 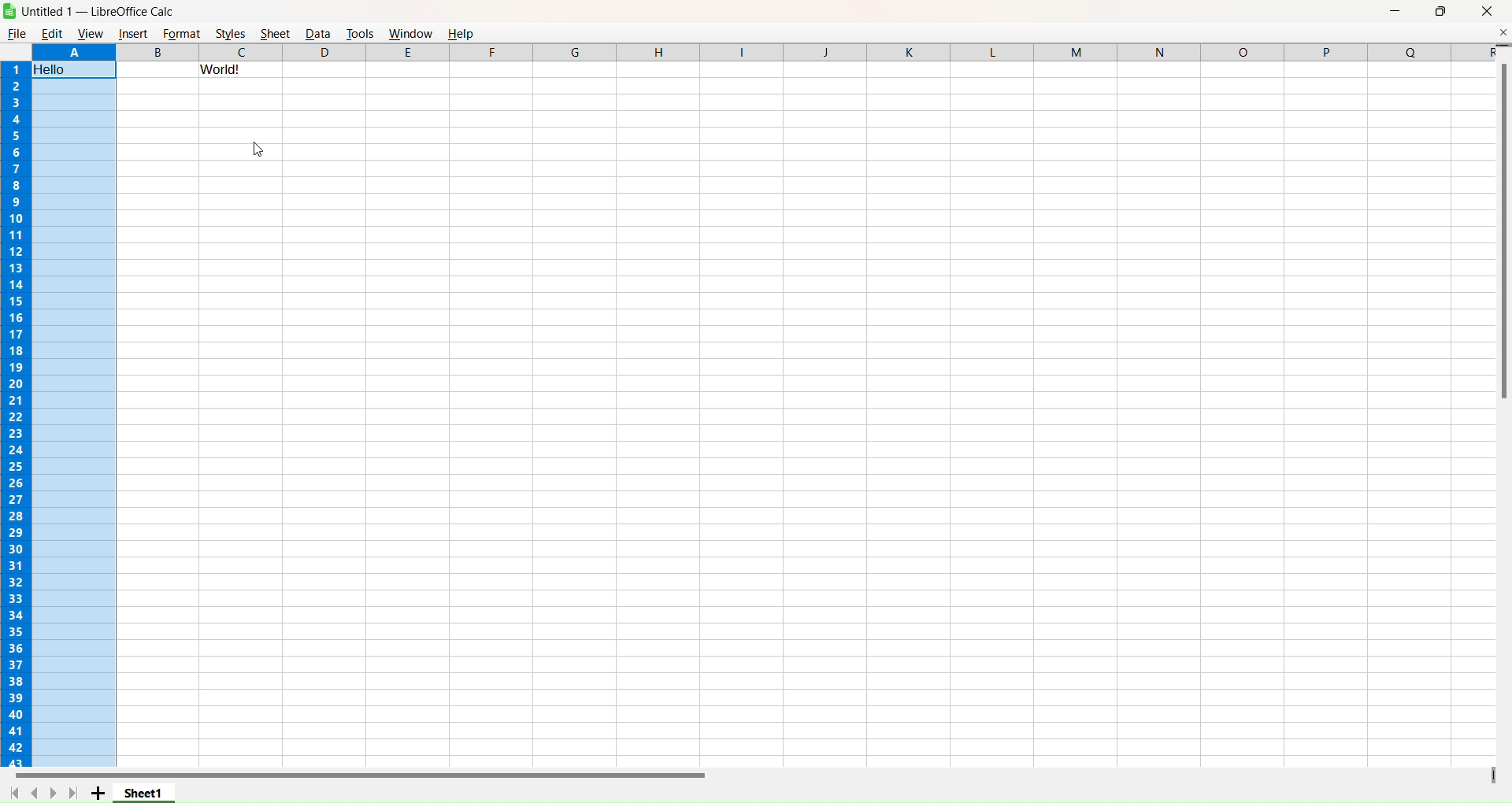 I want to click on Horizontal Scroll bar, so click(x=354, y=775).